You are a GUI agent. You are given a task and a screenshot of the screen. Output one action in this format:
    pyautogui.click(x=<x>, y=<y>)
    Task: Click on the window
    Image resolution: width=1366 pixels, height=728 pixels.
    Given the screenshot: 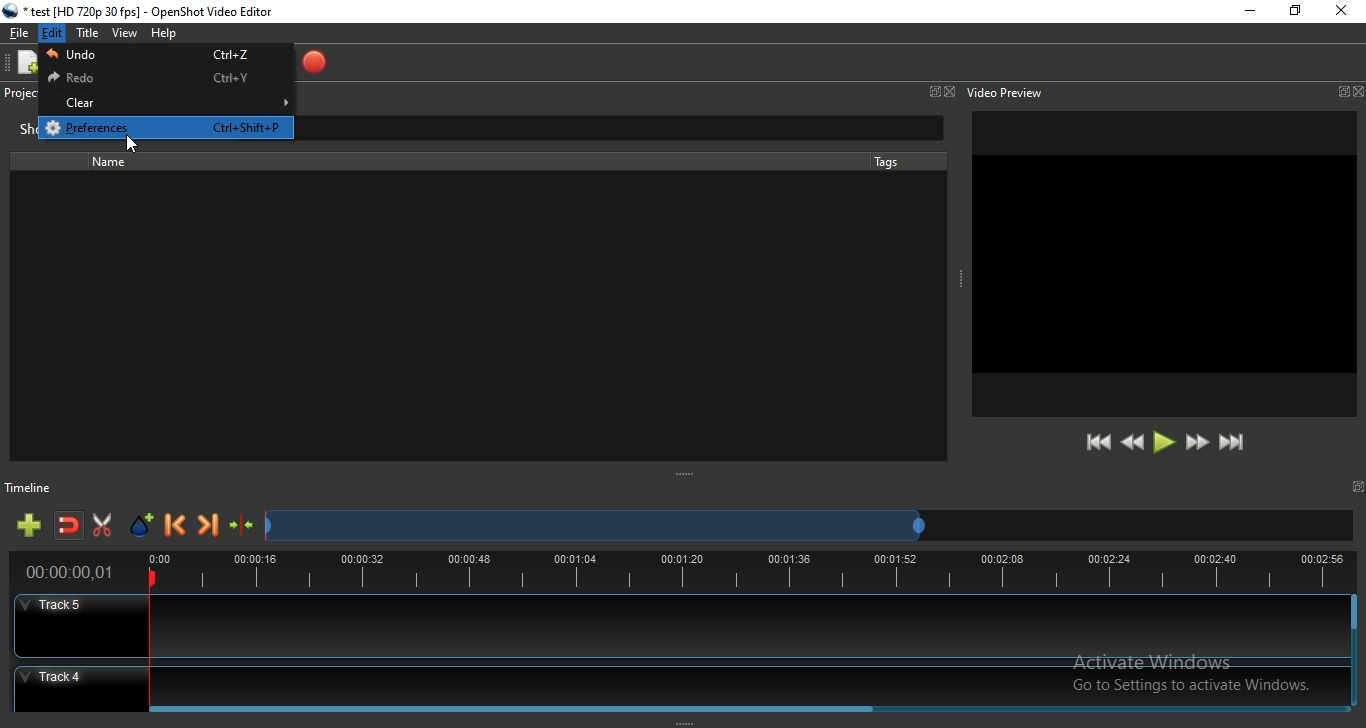 What is the action you would take?
    pyautogui.click(x=1360, y=486)
    